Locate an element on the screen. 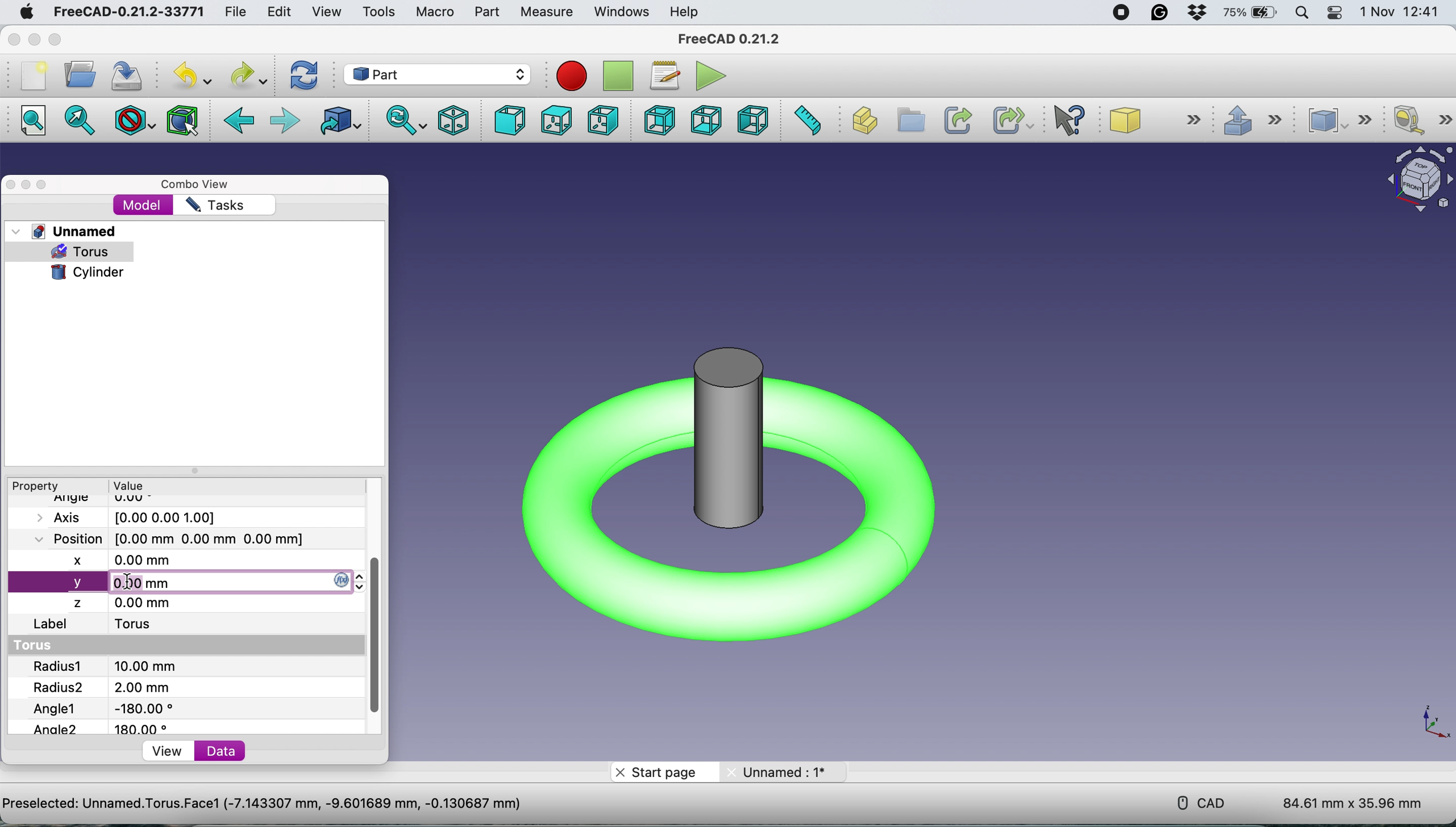 Image resolution: width=1456 pixels, height=827 pixels. right is located at coordinates (601, 120).